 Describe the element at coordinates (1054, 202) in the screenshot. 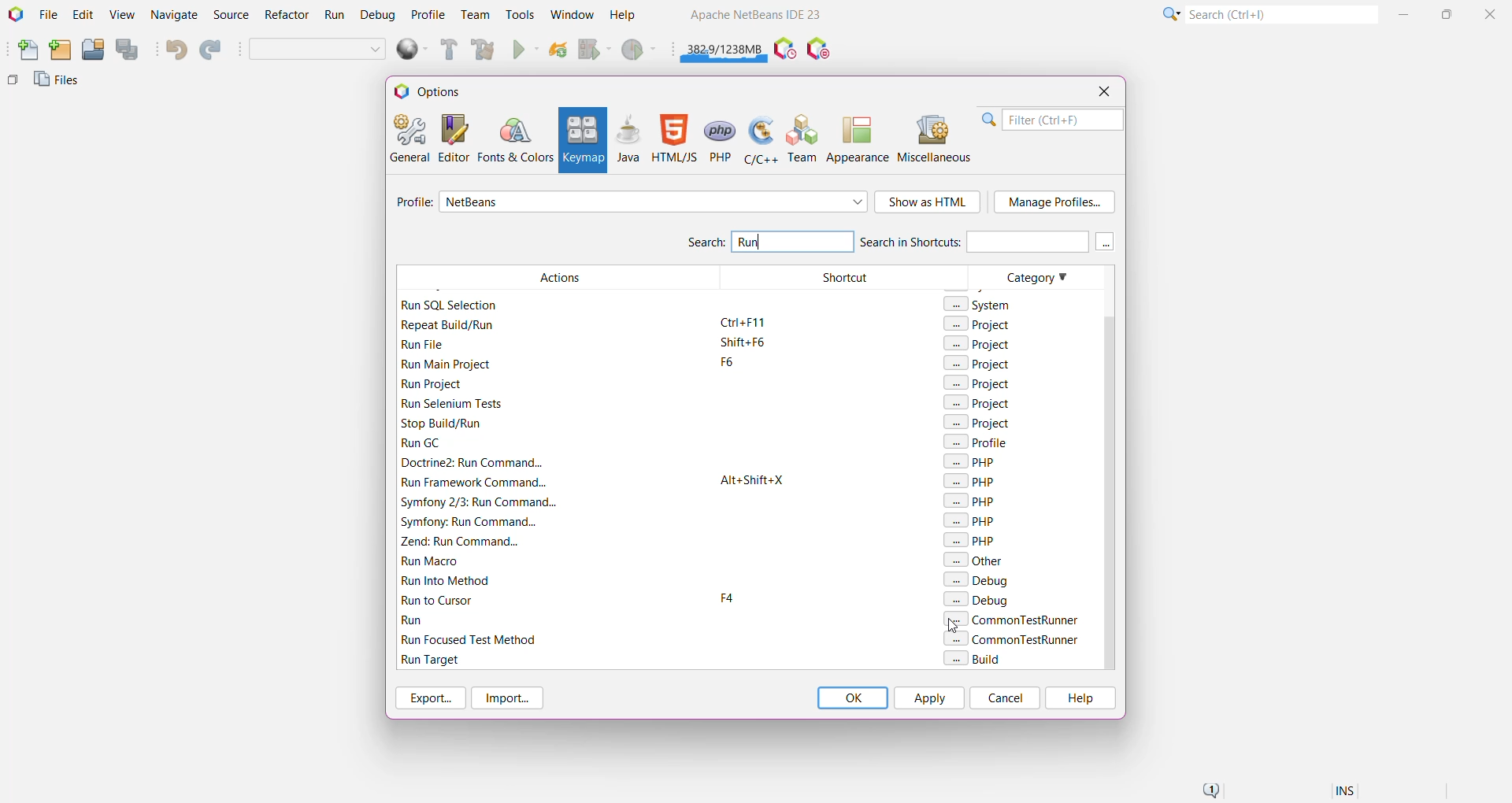

I see `Manage Profile` at that location.